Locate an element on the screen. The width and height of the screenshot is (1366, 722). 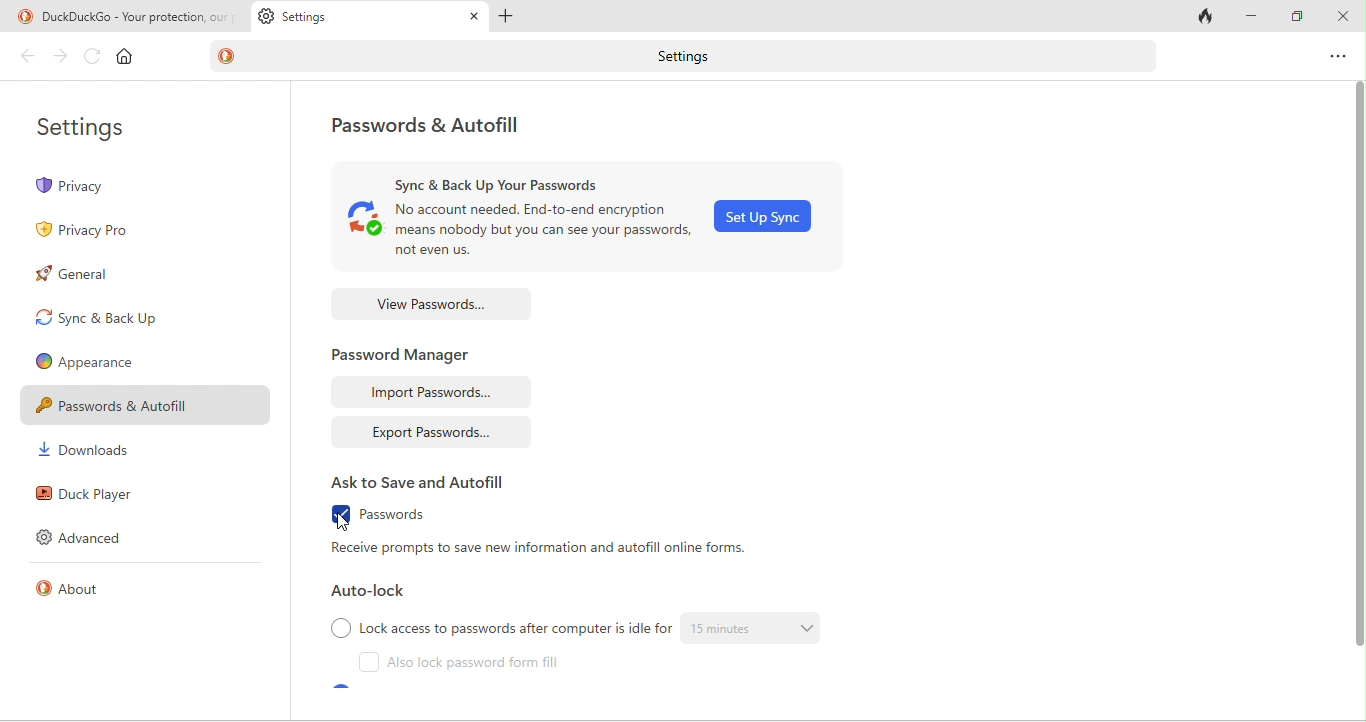
setting logo is located at coordinates (264, 18).